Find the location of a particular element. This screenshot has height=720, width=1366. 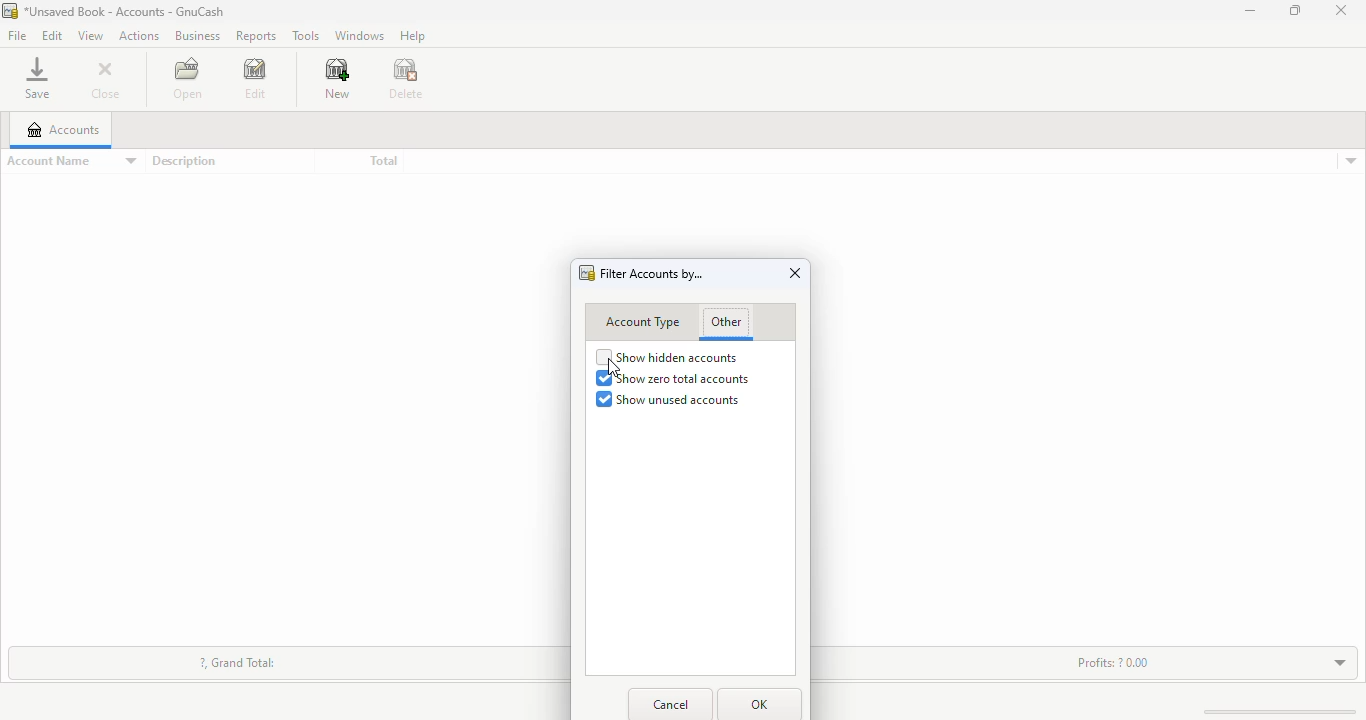

account name is located at coordinates (71, 161).